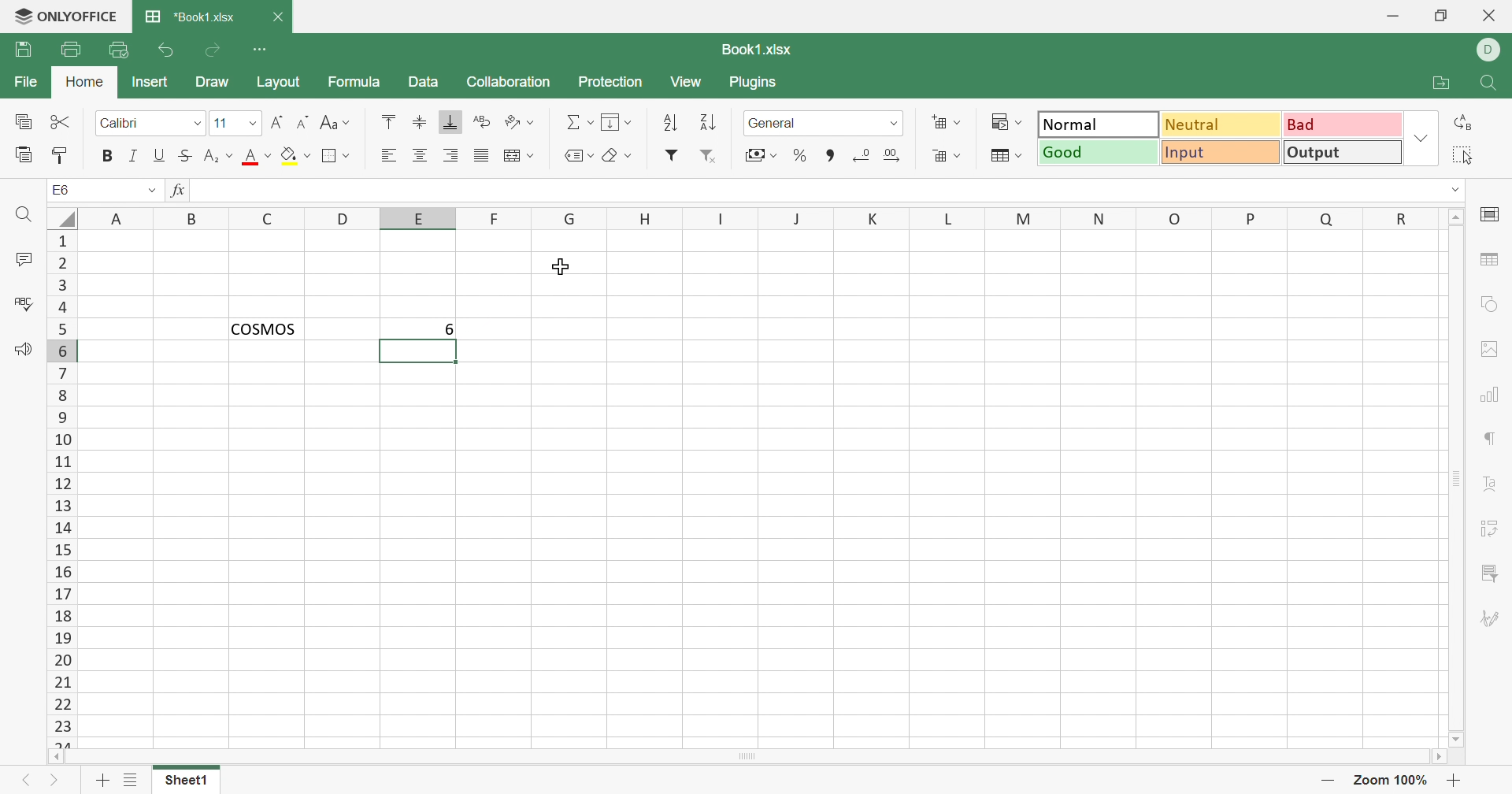  What do you see at coordinates (1488, 441) in the screenshot?
I see `Paragraph settings` at bounding box center [1488, 441].